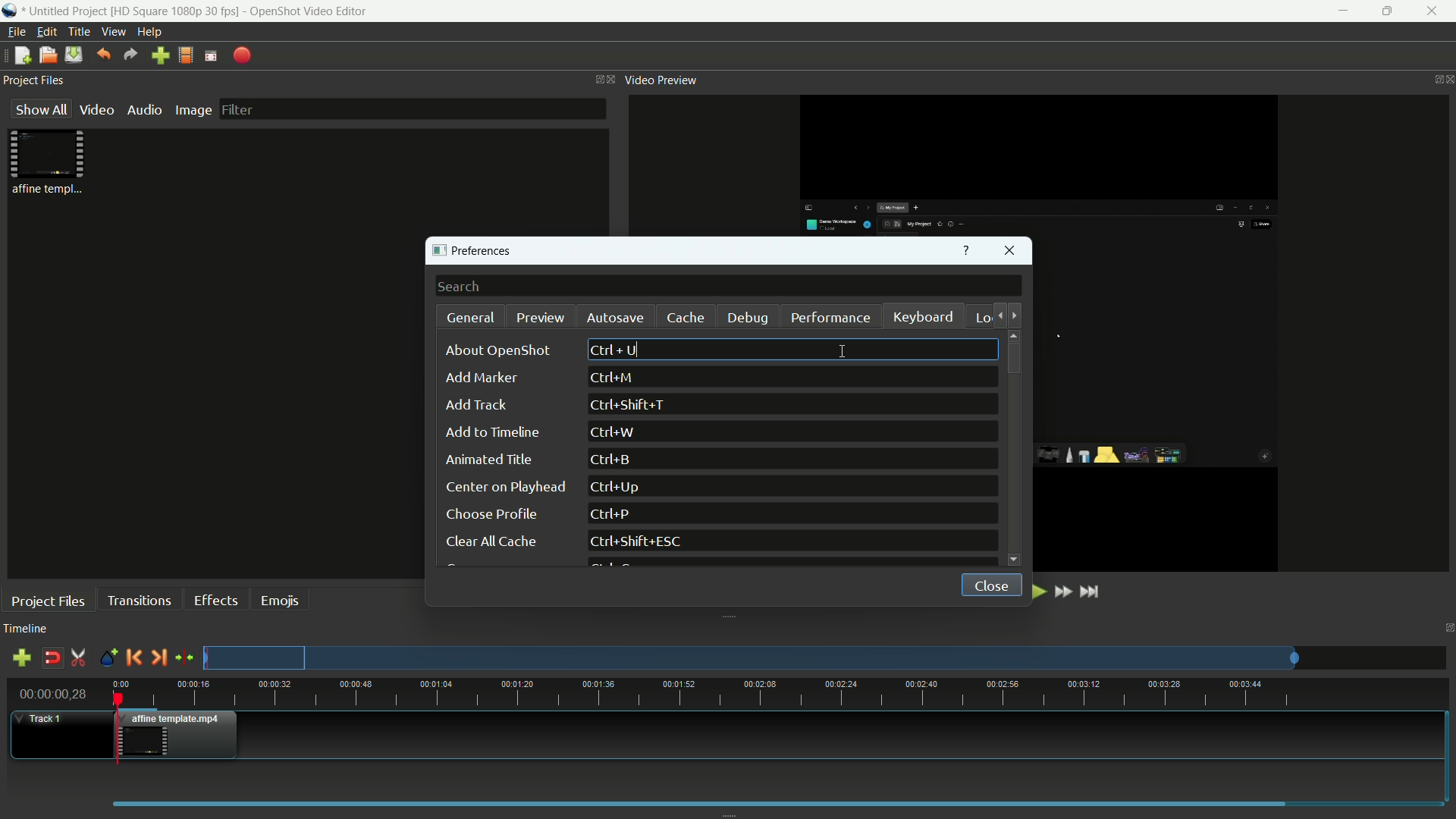 The height and width of the screenshot is (819, 1456). I want to click on close, so click(987, 583).